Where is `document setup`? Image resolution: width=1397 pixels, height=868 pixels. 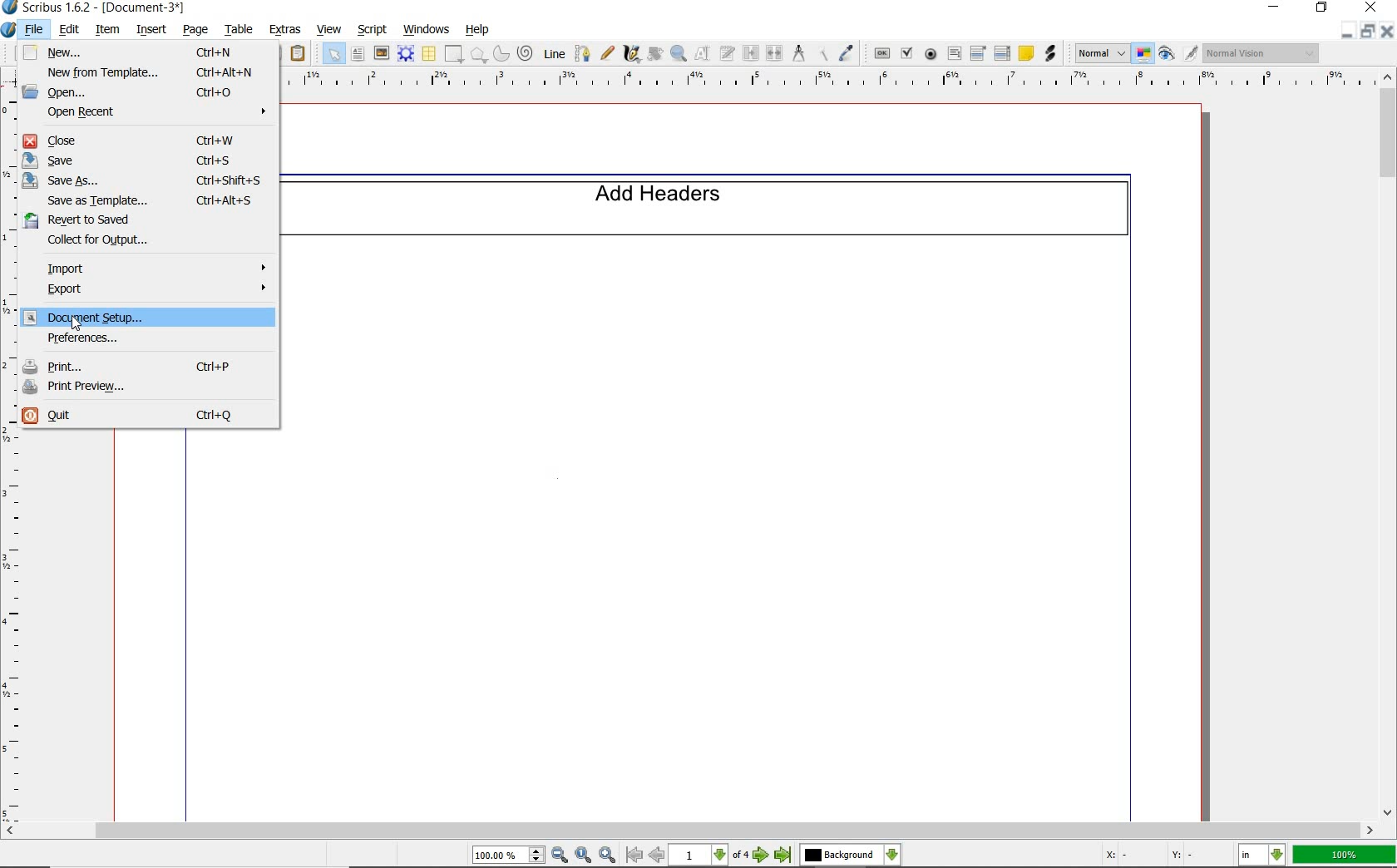
document setup is located at coordinates (150, 318).